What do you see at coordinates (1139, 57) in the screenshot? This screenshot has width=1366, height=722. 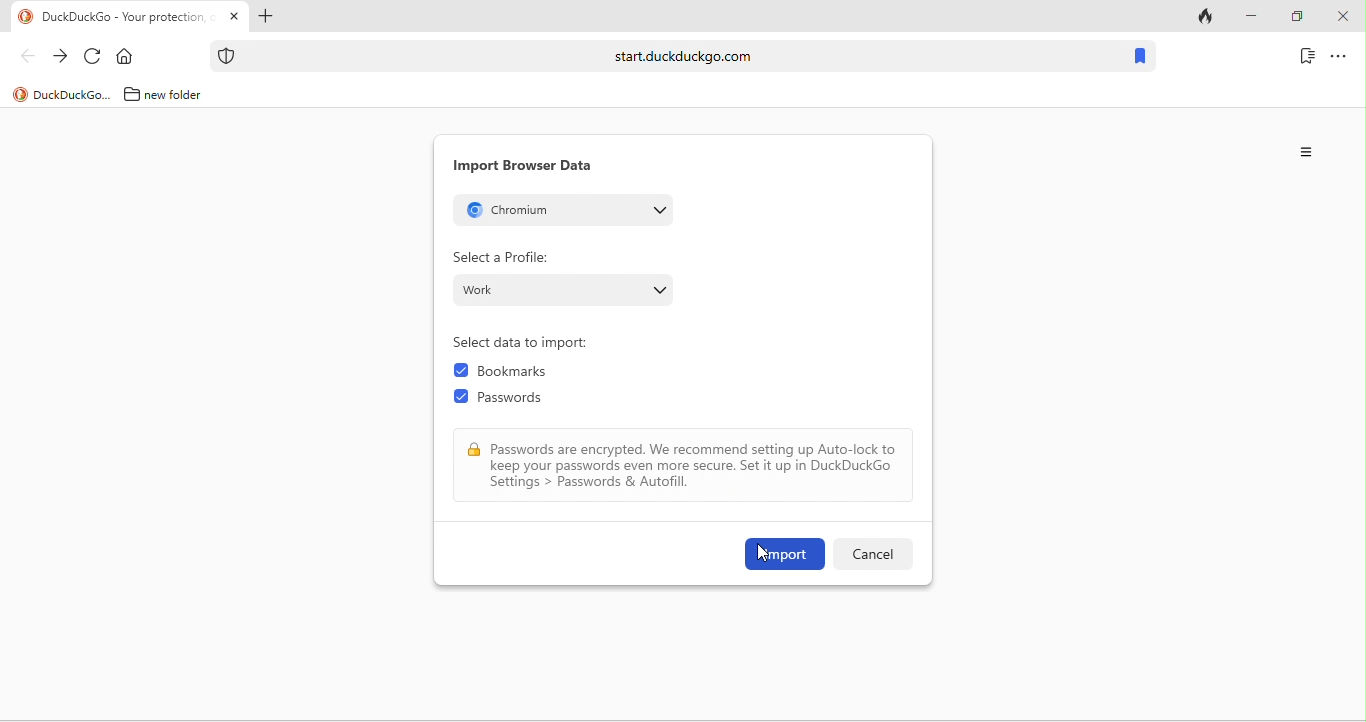 I see `bookmarks` at bounding box center [1139, 57].